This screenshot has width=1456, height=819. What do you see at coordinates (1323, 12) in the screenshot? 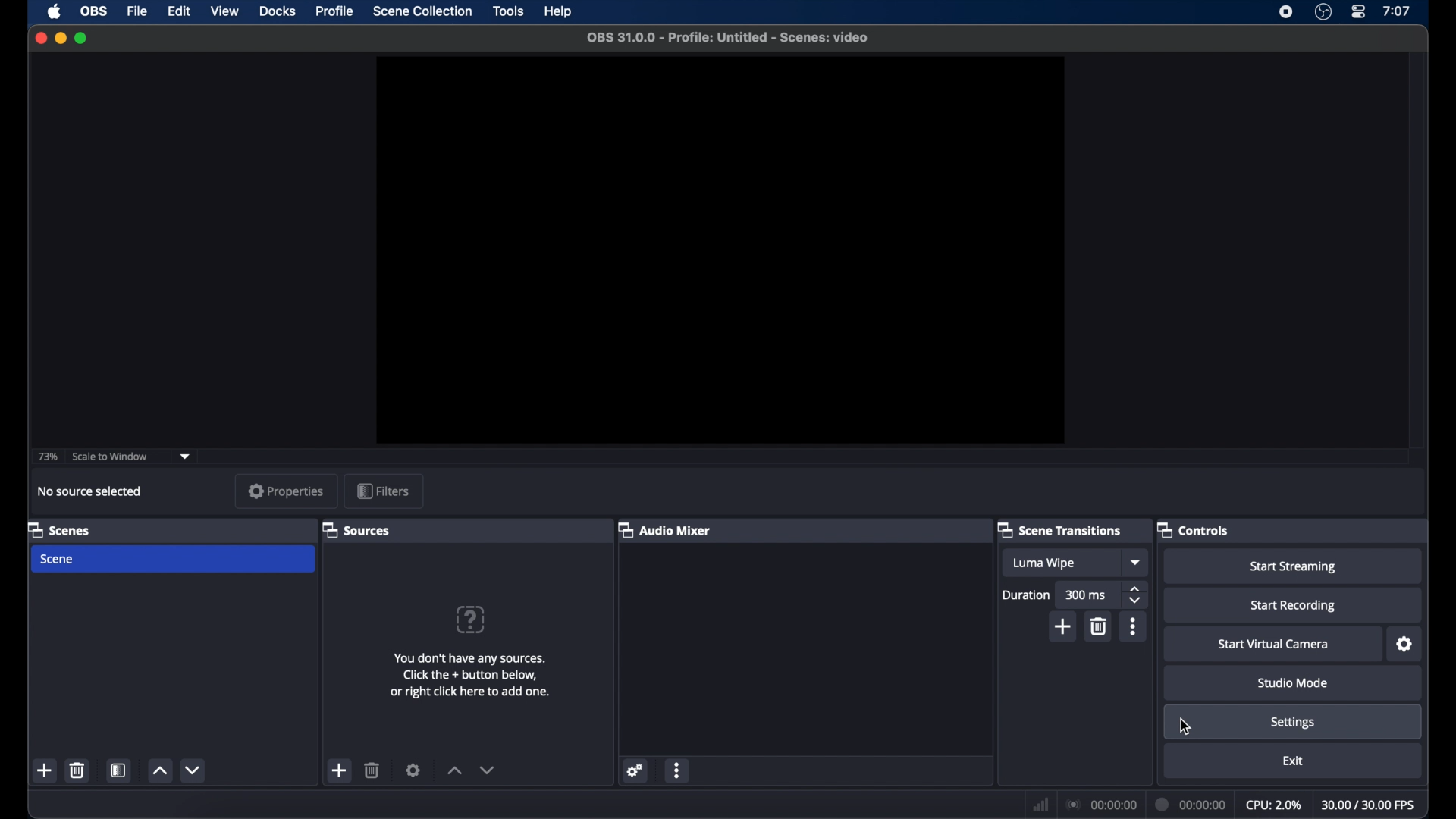
I see `obs studio` at bounding box center [1323, 12].